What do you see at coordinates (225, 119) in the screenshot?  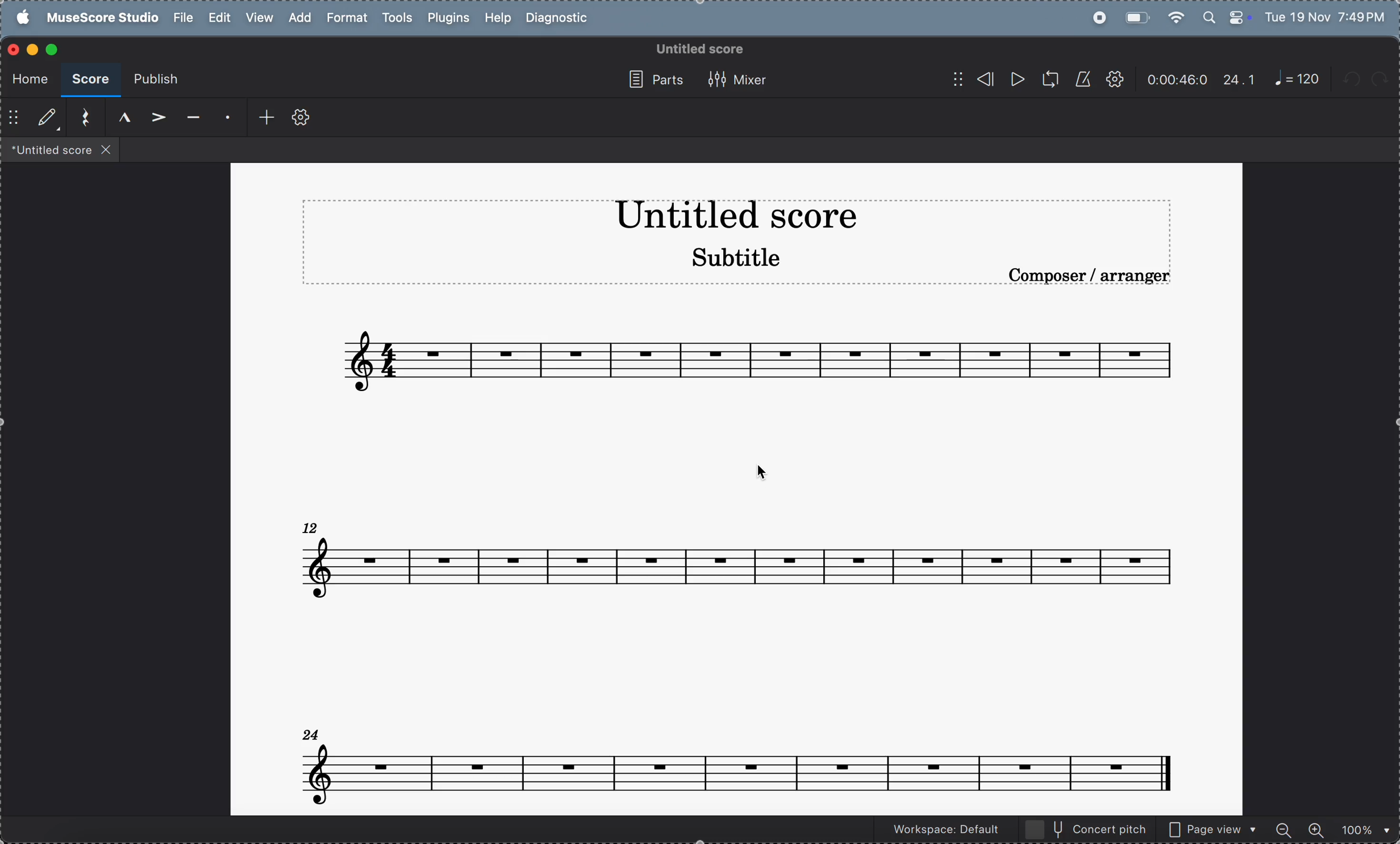 I see `staccato` at bounding box center [225, 119].